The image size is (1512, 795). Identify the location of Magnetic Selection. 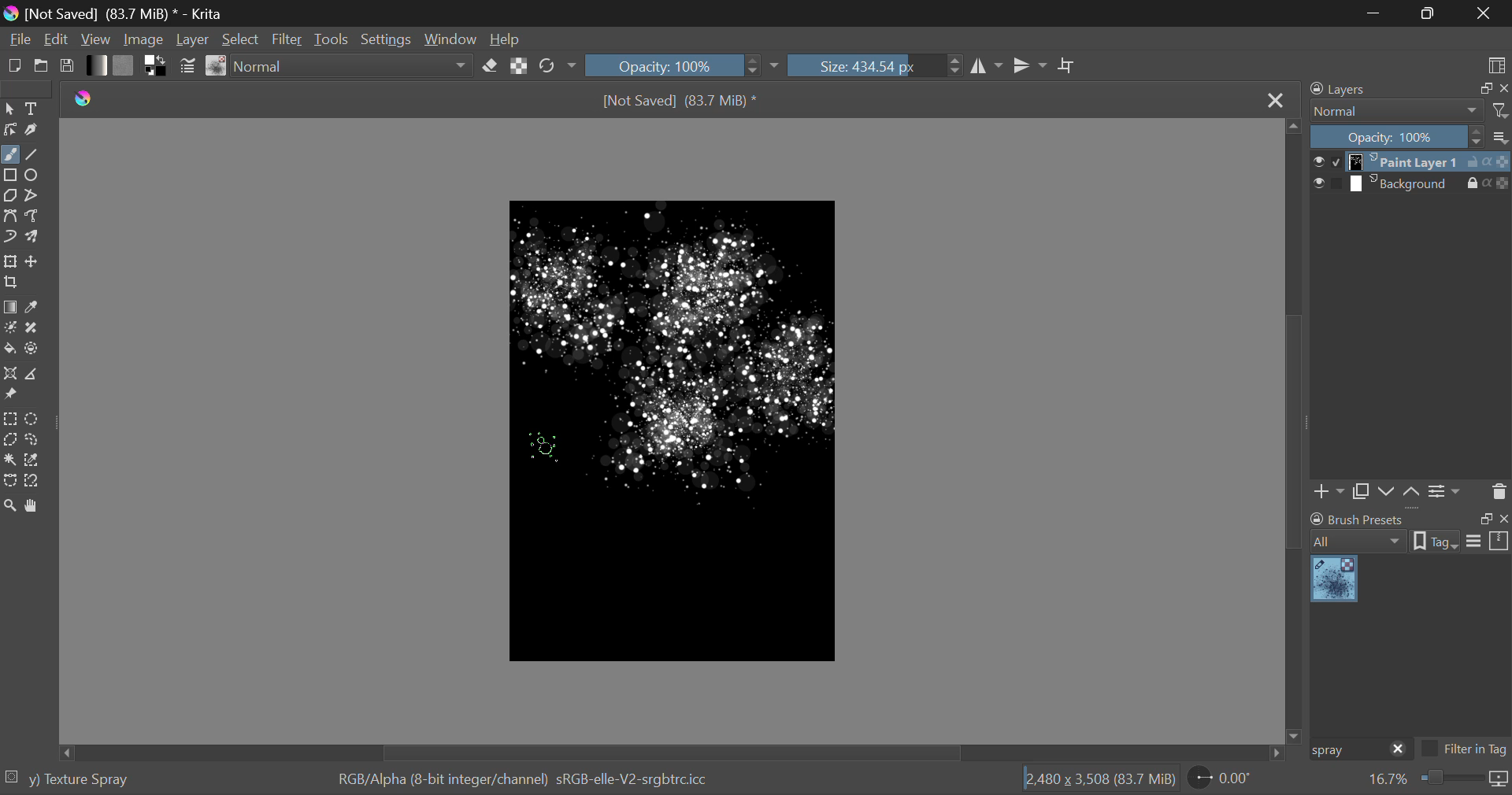
(37, 482).